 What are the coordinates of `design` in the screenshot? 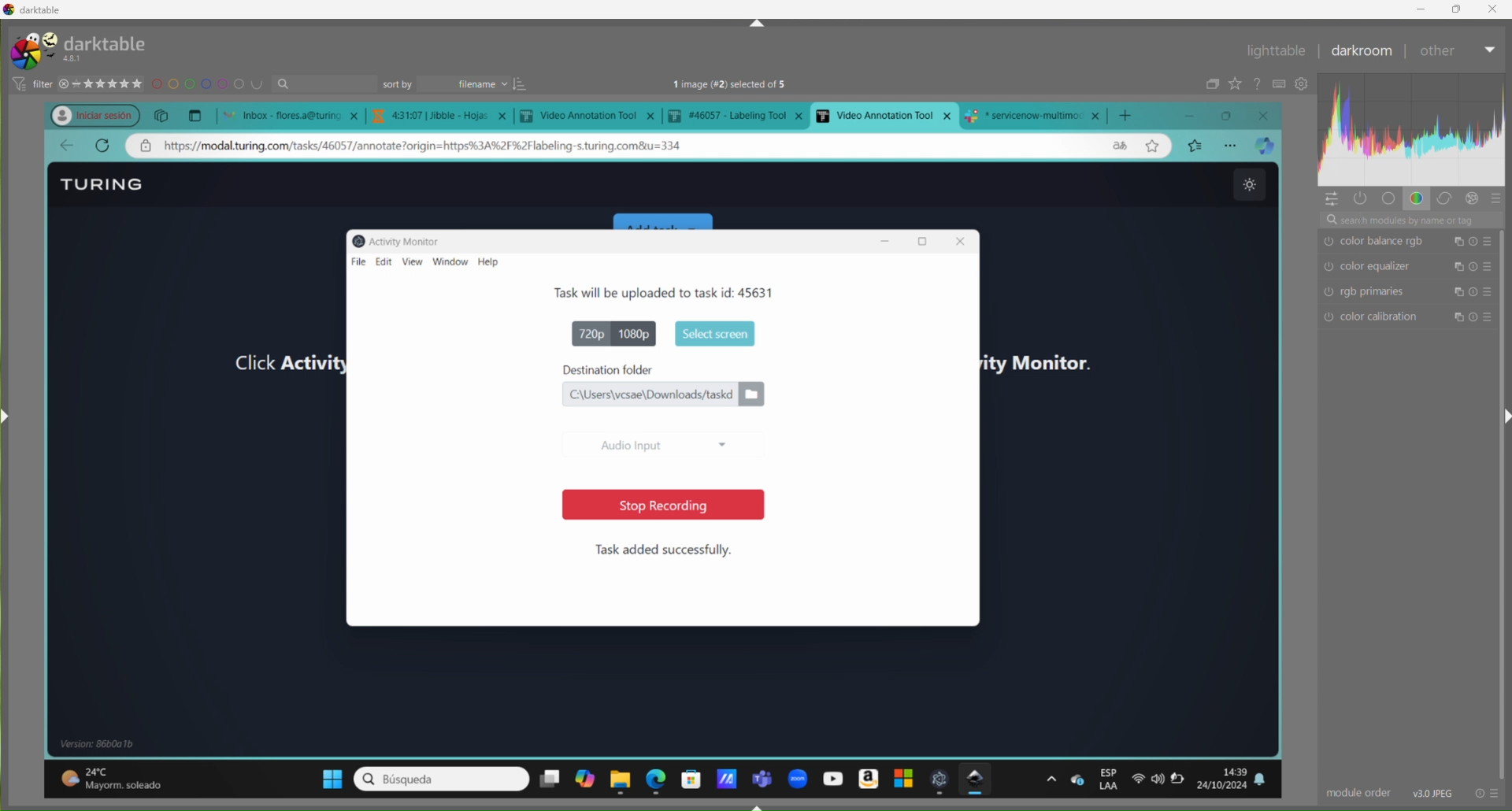 It's located at (209, 85).